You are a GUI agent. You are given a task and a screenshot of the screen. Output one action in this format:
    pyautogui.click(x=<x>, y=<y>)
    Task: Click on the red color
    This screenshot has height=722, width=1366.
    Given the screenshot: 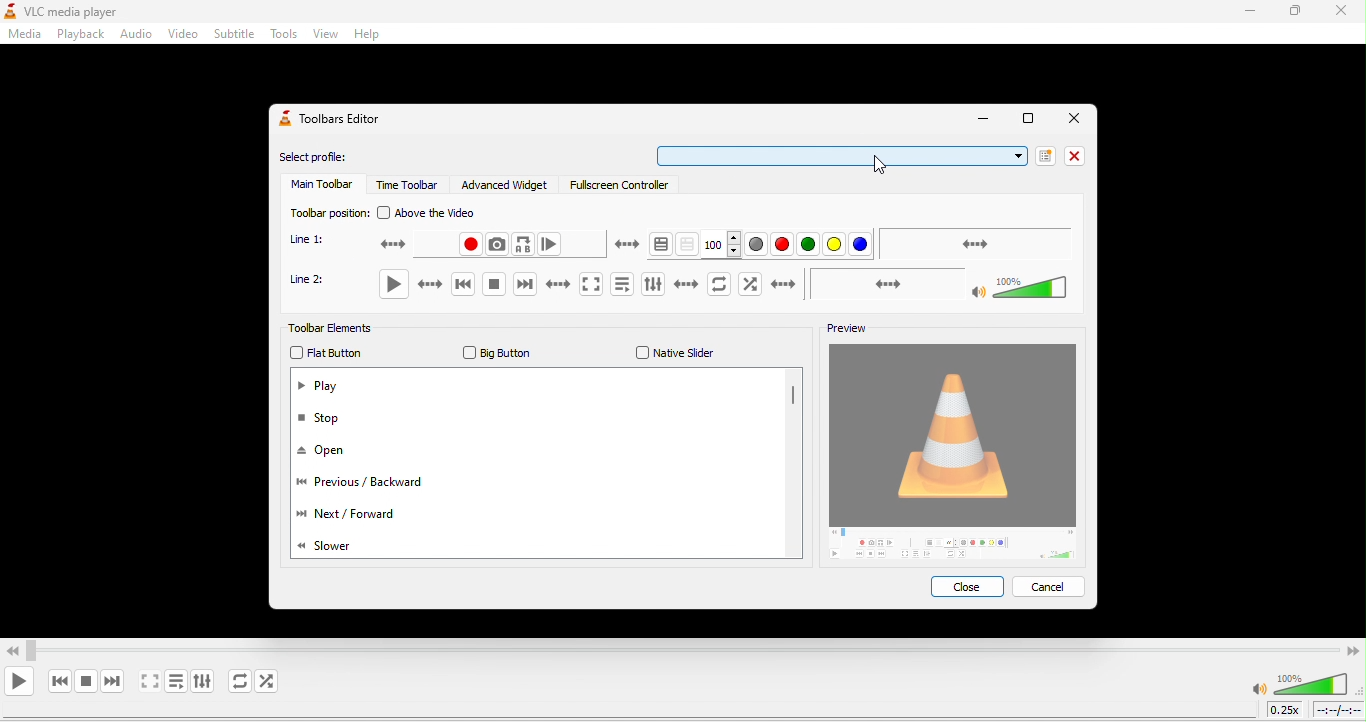 What is the action you would take?
    pyautogui.click(x=782, y=247)
    